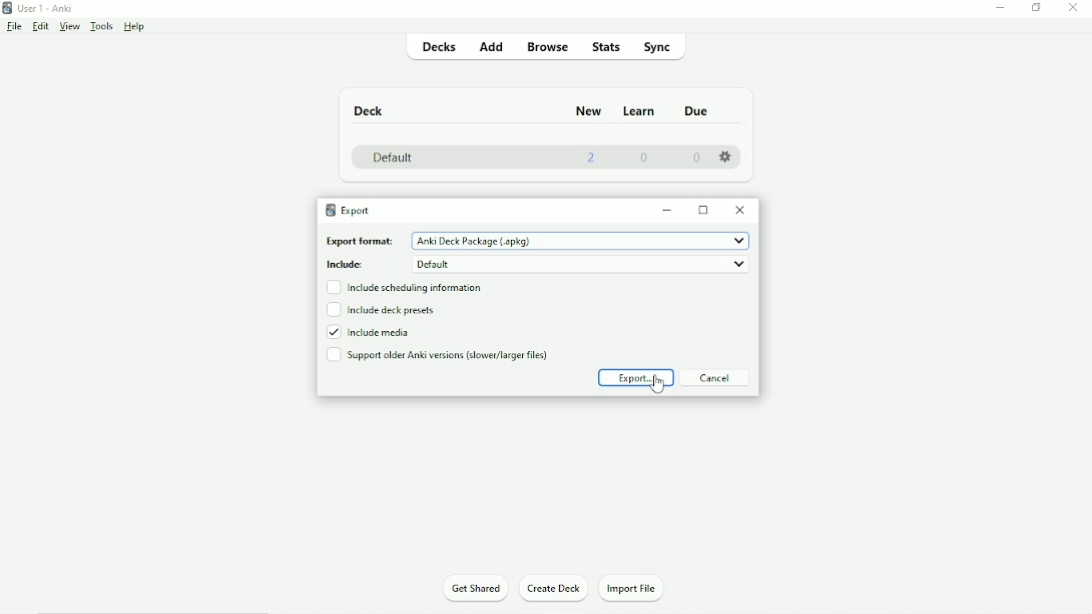 Image resolution: width=1092 pixels, height=614 pixels. I want to click on Restore down, so click(1037, 7).